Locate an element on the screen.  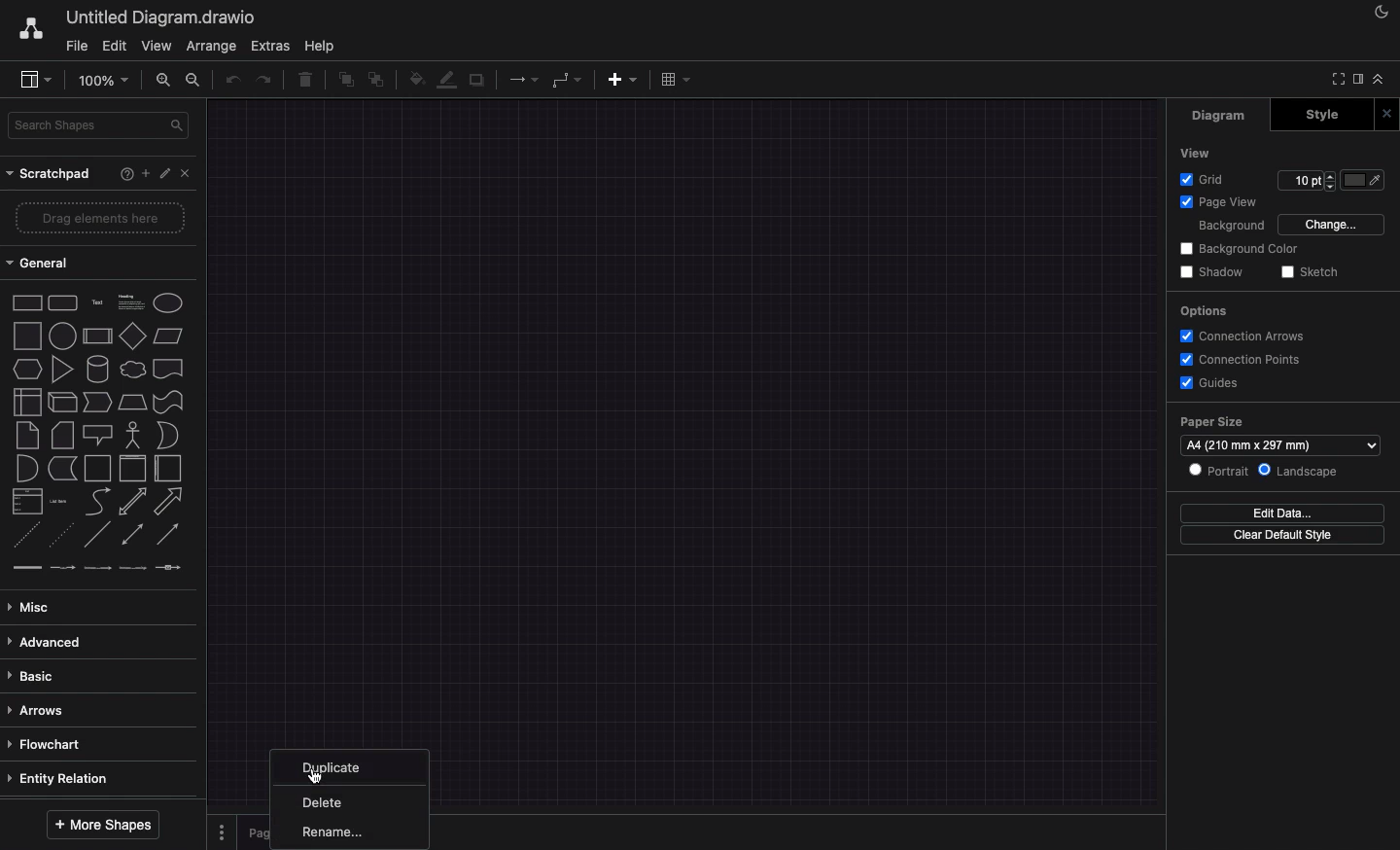
cylinder is located at coordinates (98, 370).